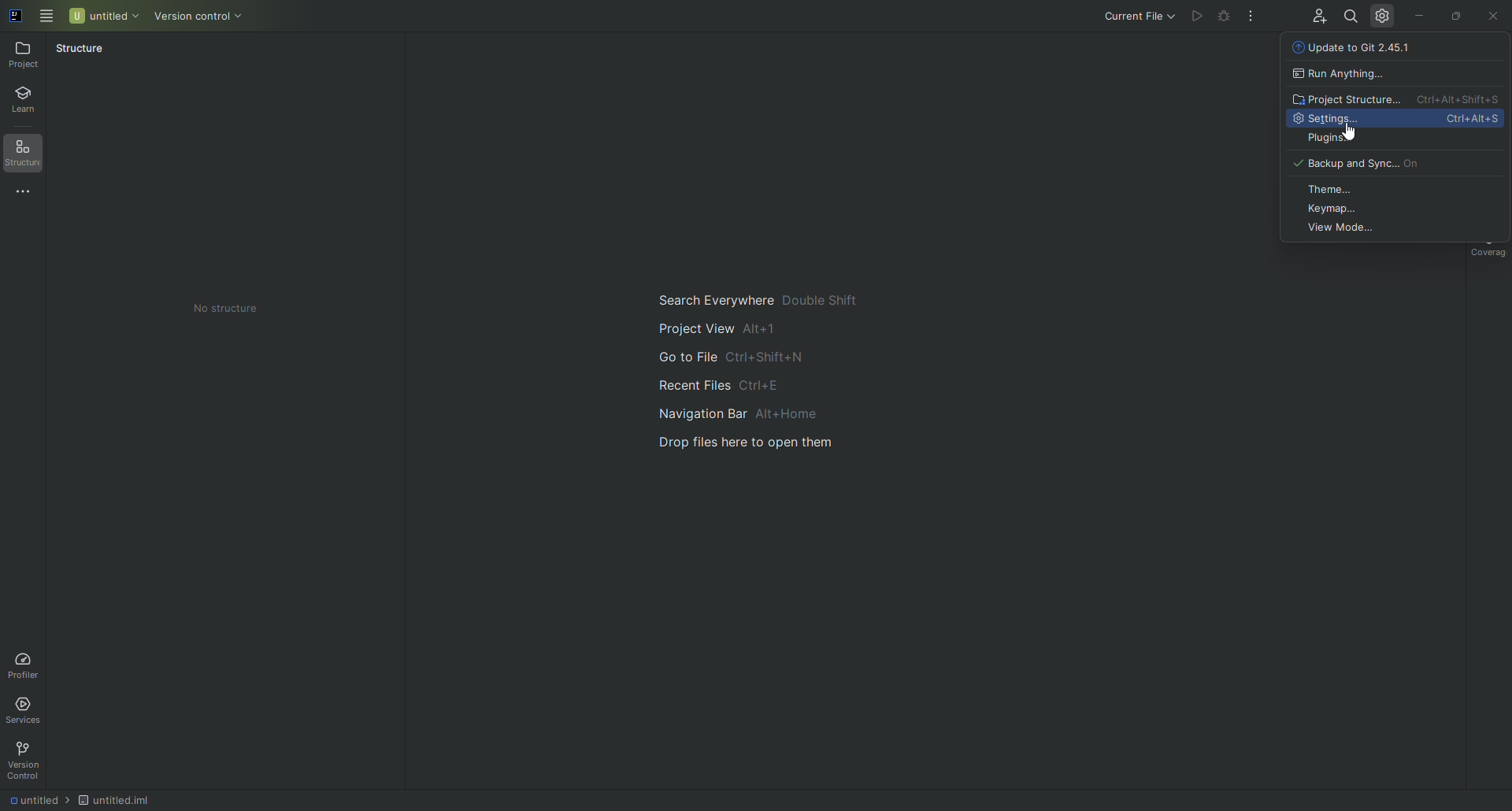  Describe the element at coordinates (88, 52) in the screenshot. I see `Structure` at that location.